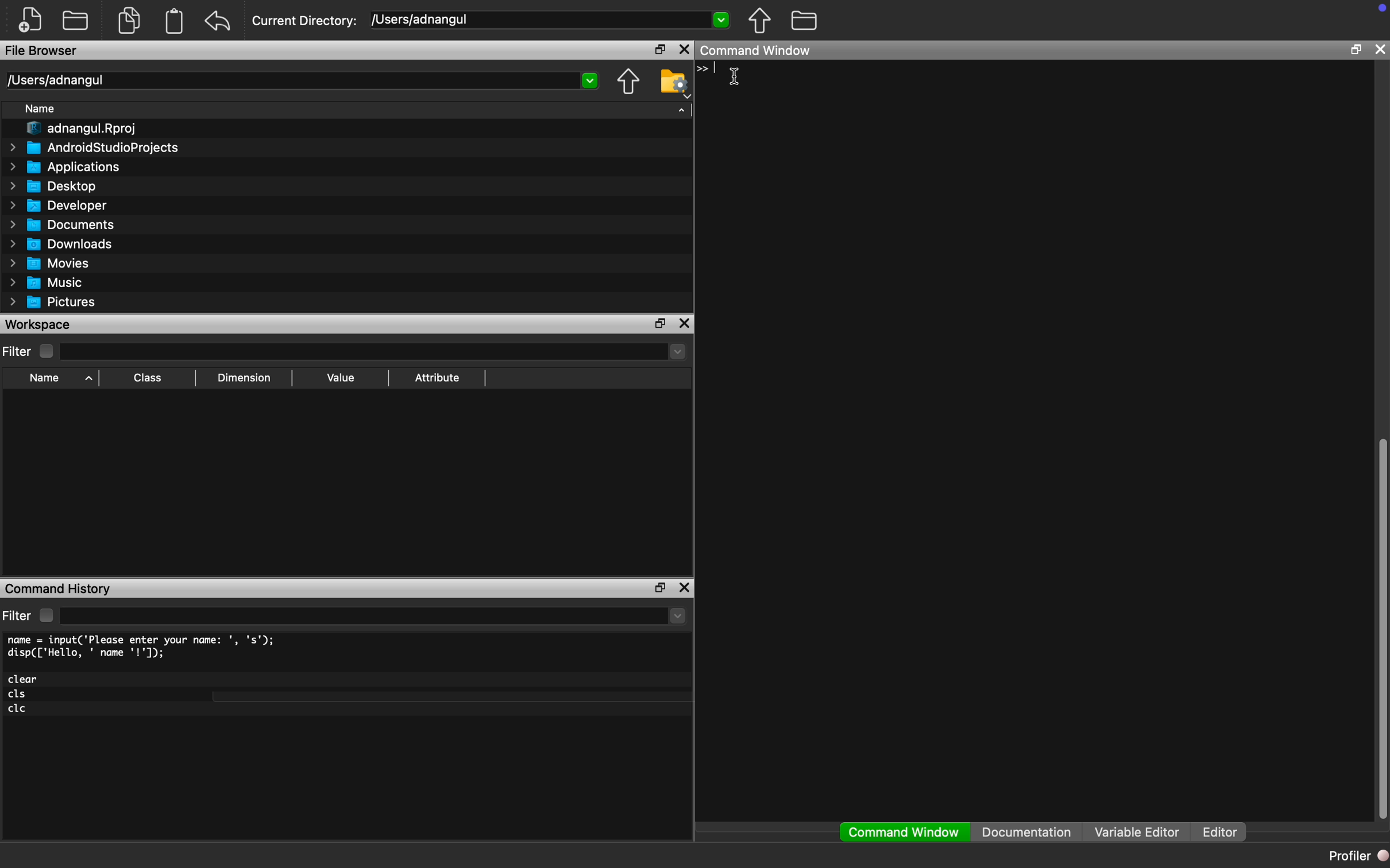  I want to click on close, so click(685, 50).